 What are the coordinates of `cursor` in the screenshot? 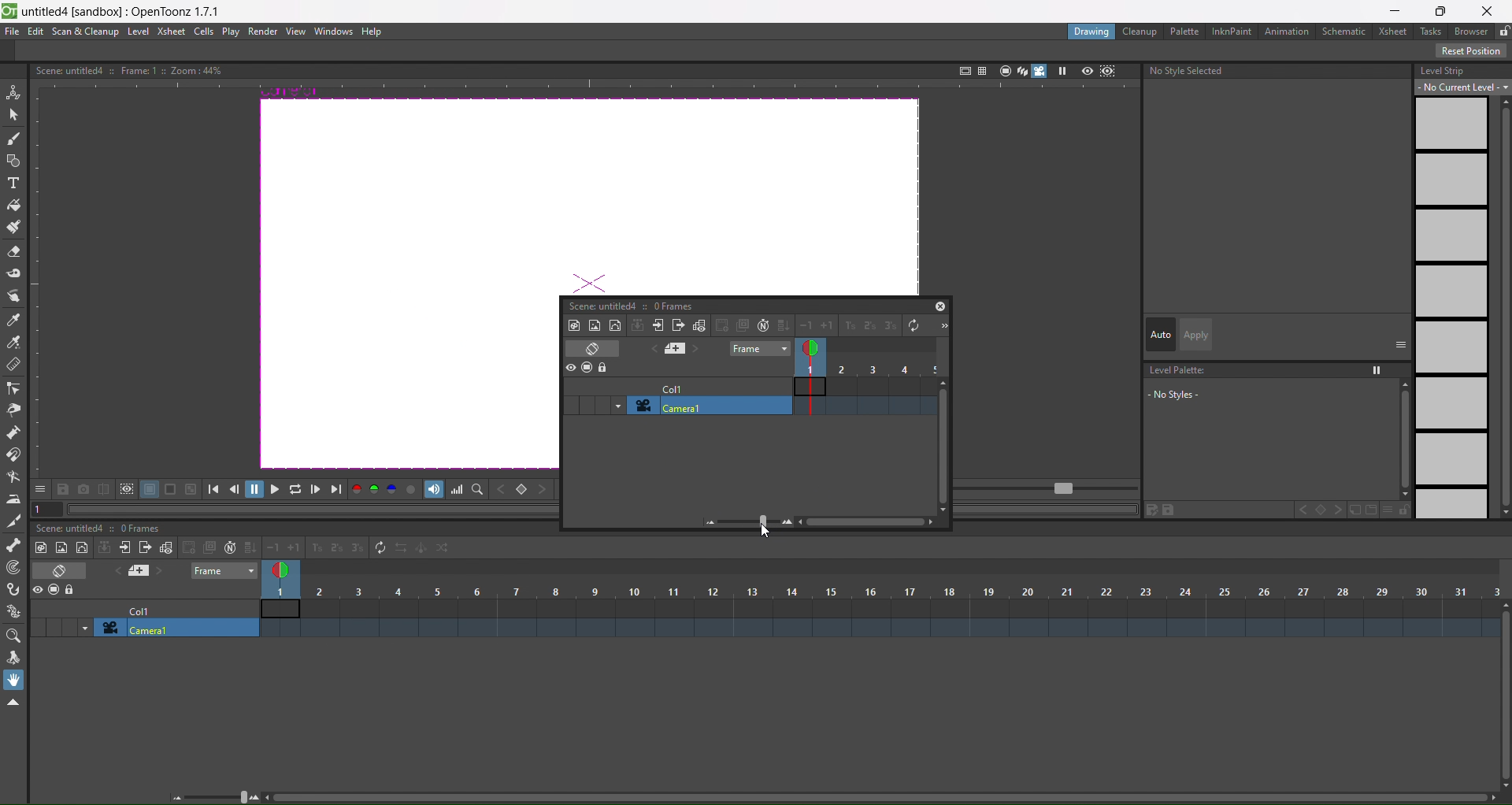 It's located at (772, 533).